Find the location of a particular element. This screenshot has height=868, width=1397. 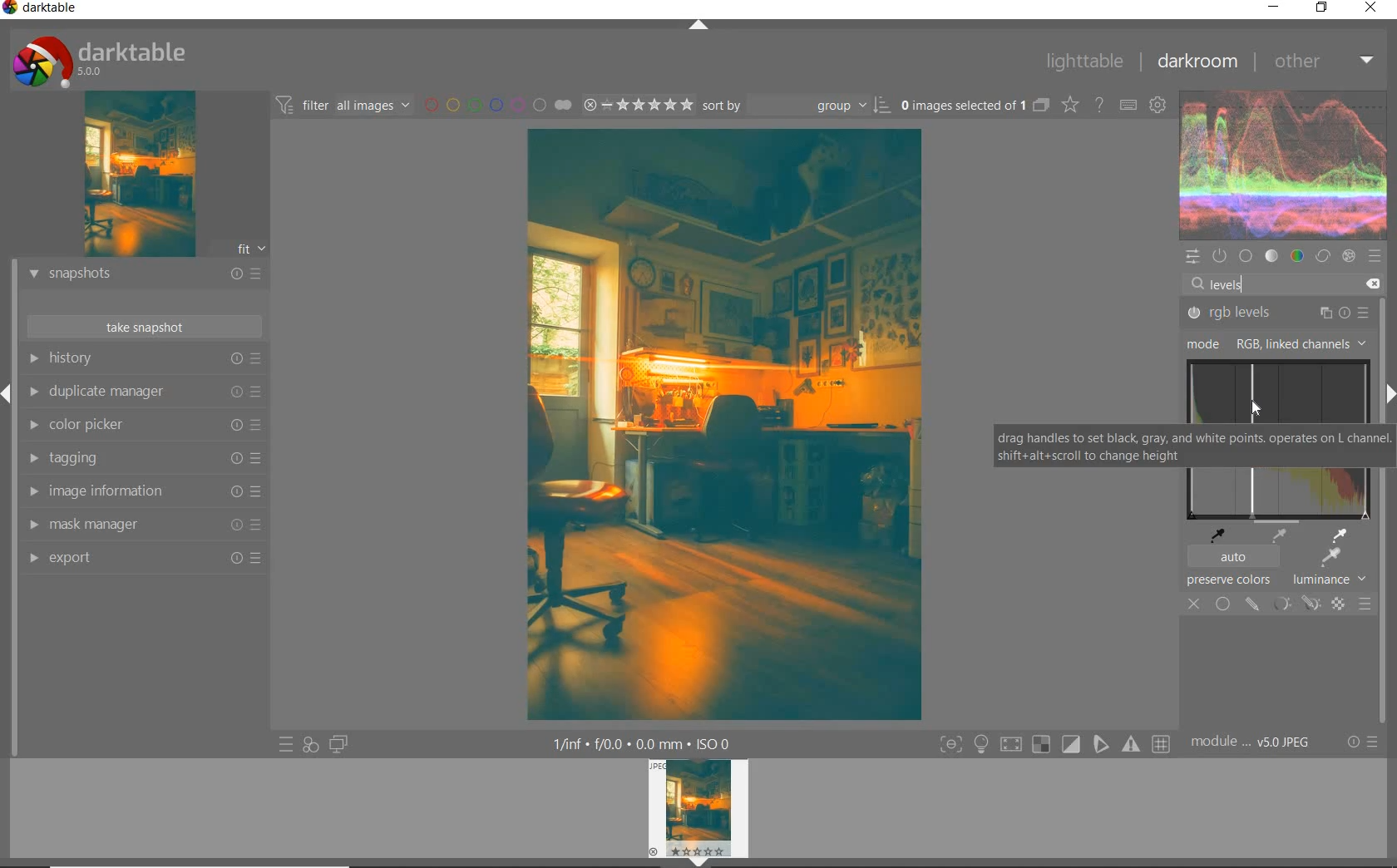

lighttable is located at coordinates (1085, 63).